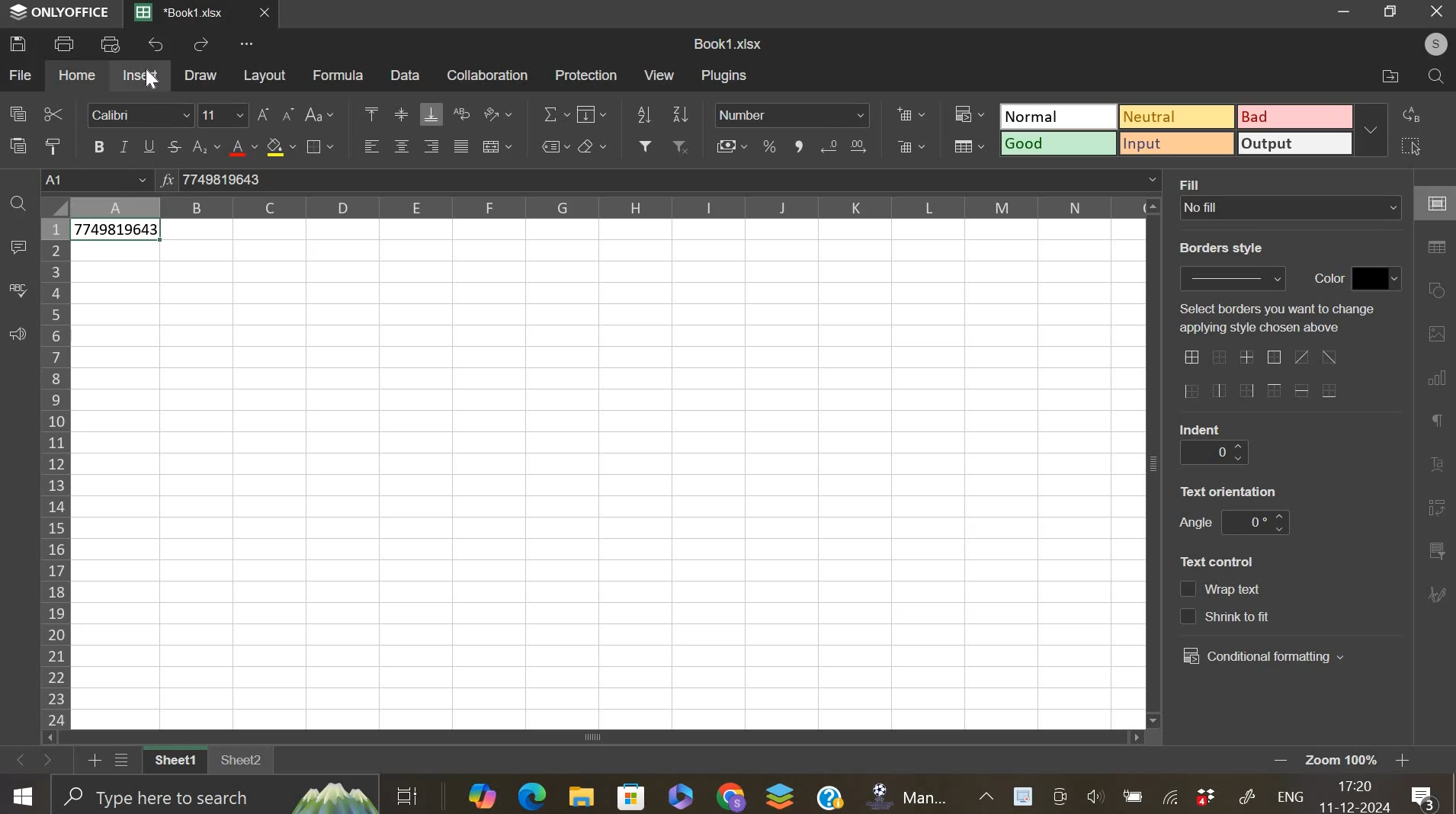  What do you see at coordinates (65, 43) in the screenshot?
I see `print` at bounding box center [65, 43].